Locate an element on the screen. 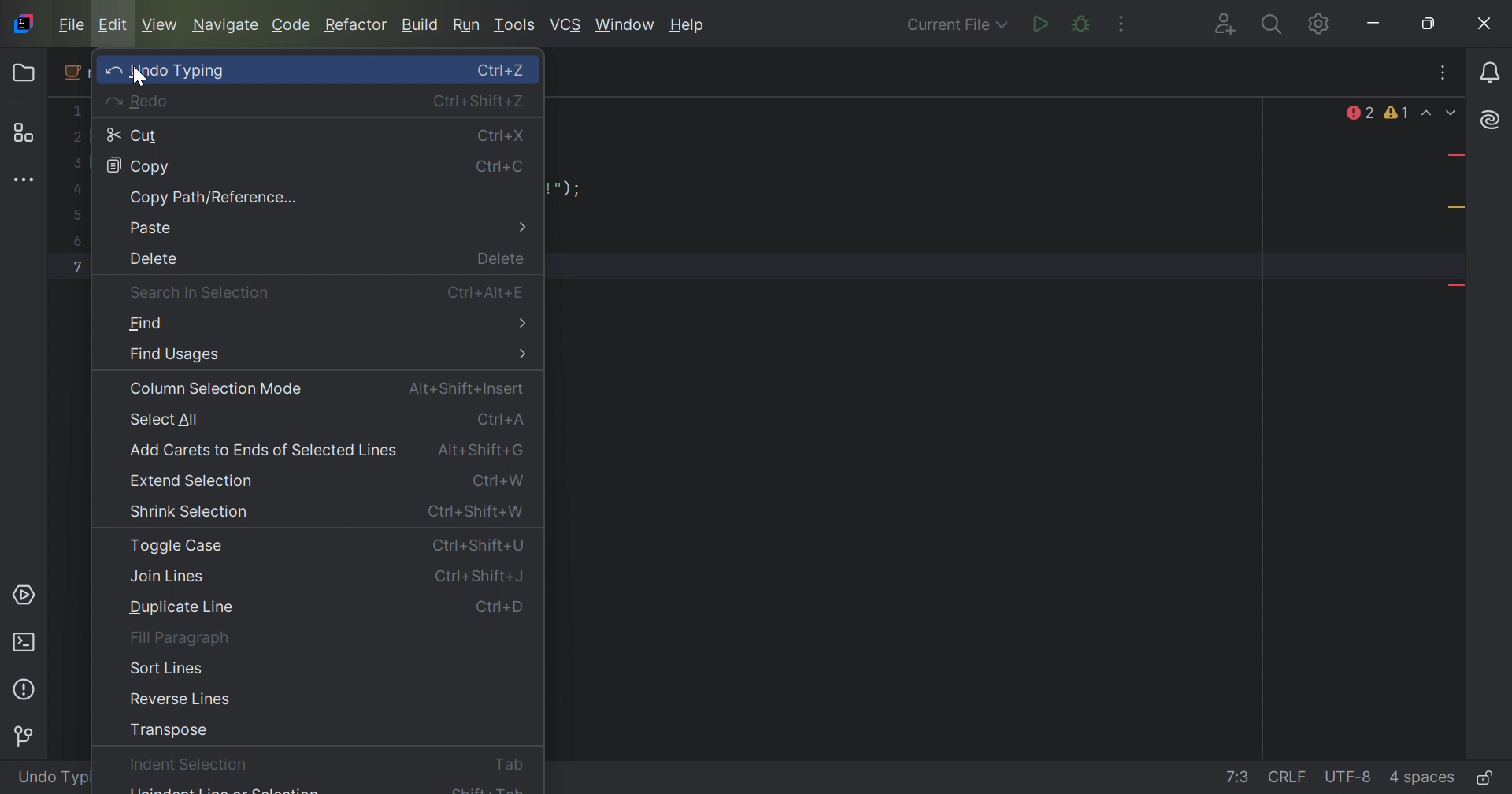 This screenshot has height=794, width=1512. Recent Files, tab Action, and More is located at coordinates (1444, 75).